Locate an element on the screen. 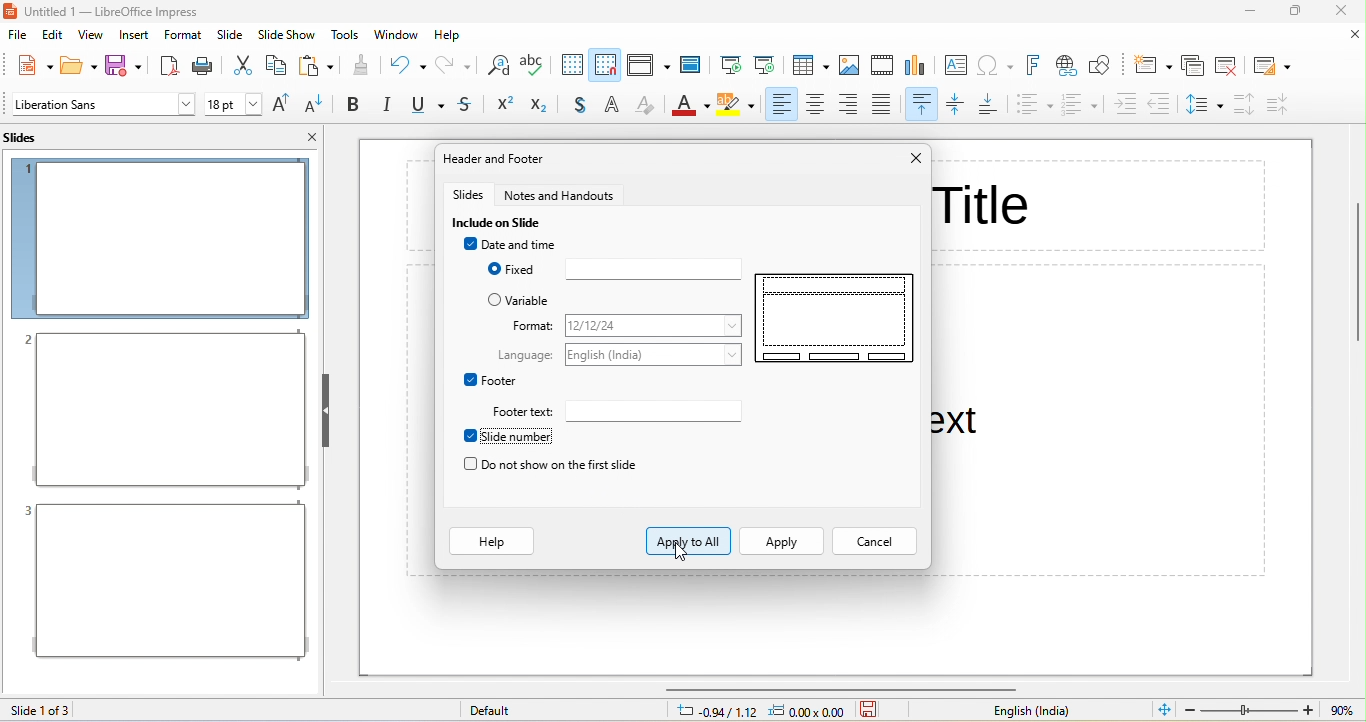 The width and height of the screenshot is (1366, 722). fixed is located at coordinates (522, 270).